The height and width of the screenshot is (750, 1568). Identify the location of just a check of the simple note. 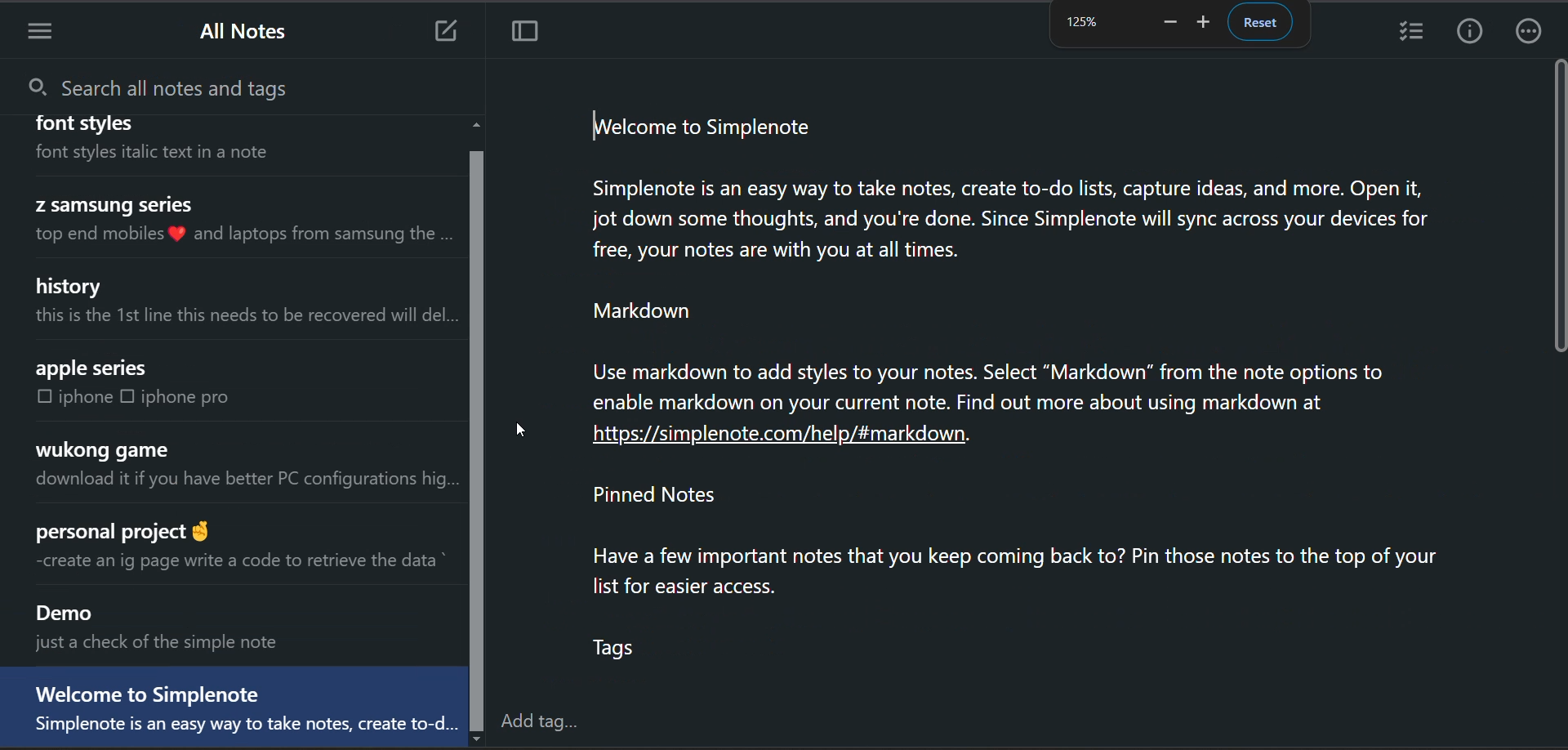
(163, 645).